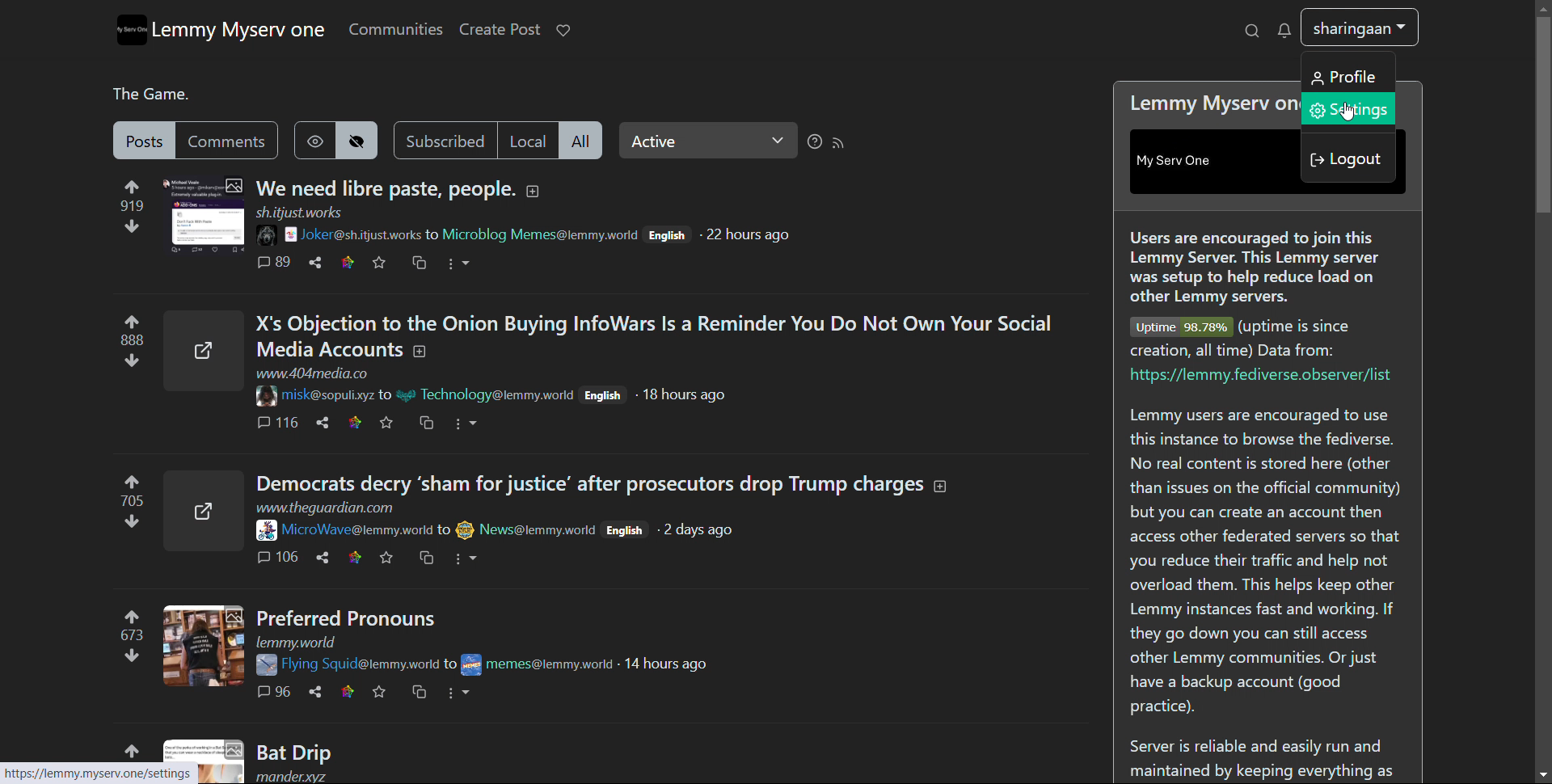 The width and height of the screenshot is (1552, 784). I want to click on thumbnail, so click(204, 761).